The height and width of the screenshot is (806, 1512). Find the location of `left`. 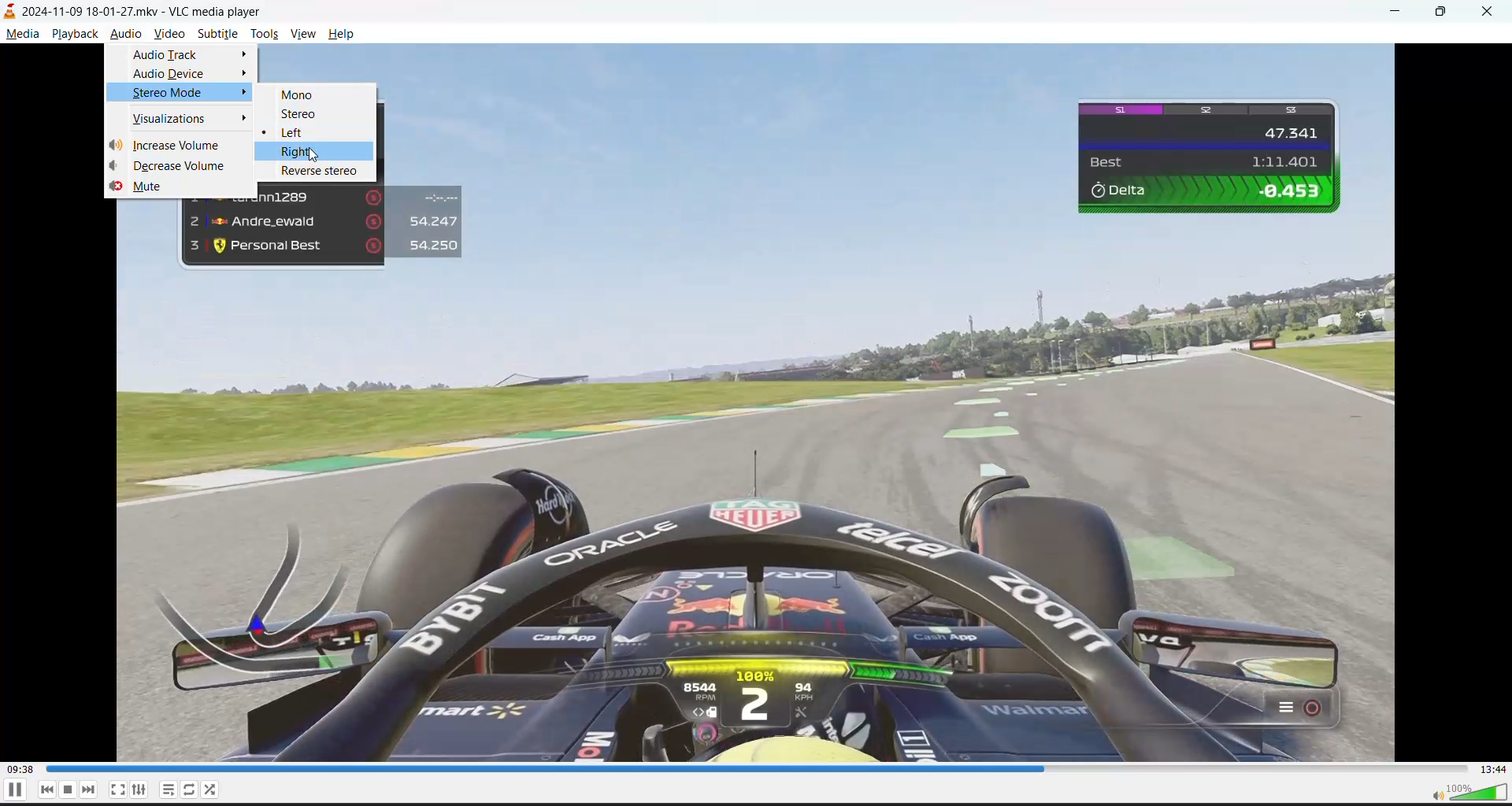

left is located at coordinates (302, 132).